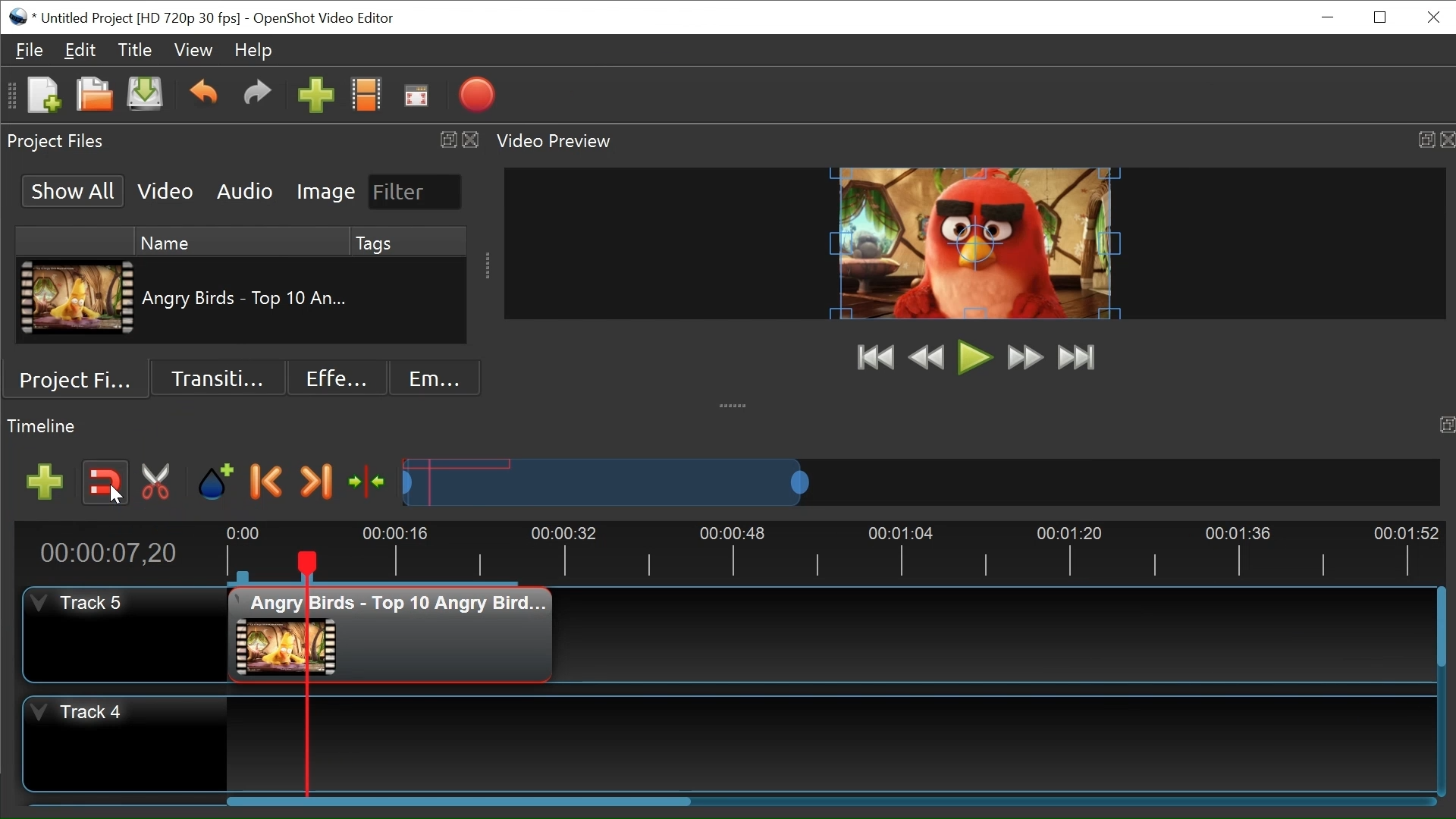 This screenshot has height=819, width=1456. I want to click on Emoji, so click(434, 377).